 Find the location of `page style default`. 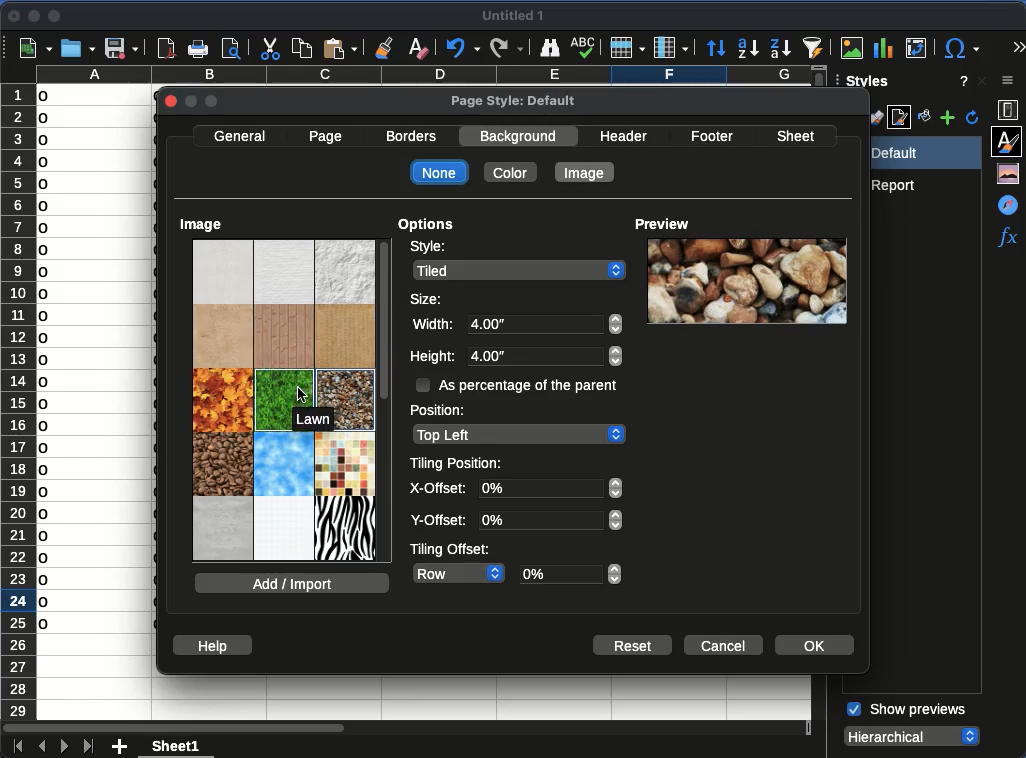

page style default is located at coordinates (514, 102).